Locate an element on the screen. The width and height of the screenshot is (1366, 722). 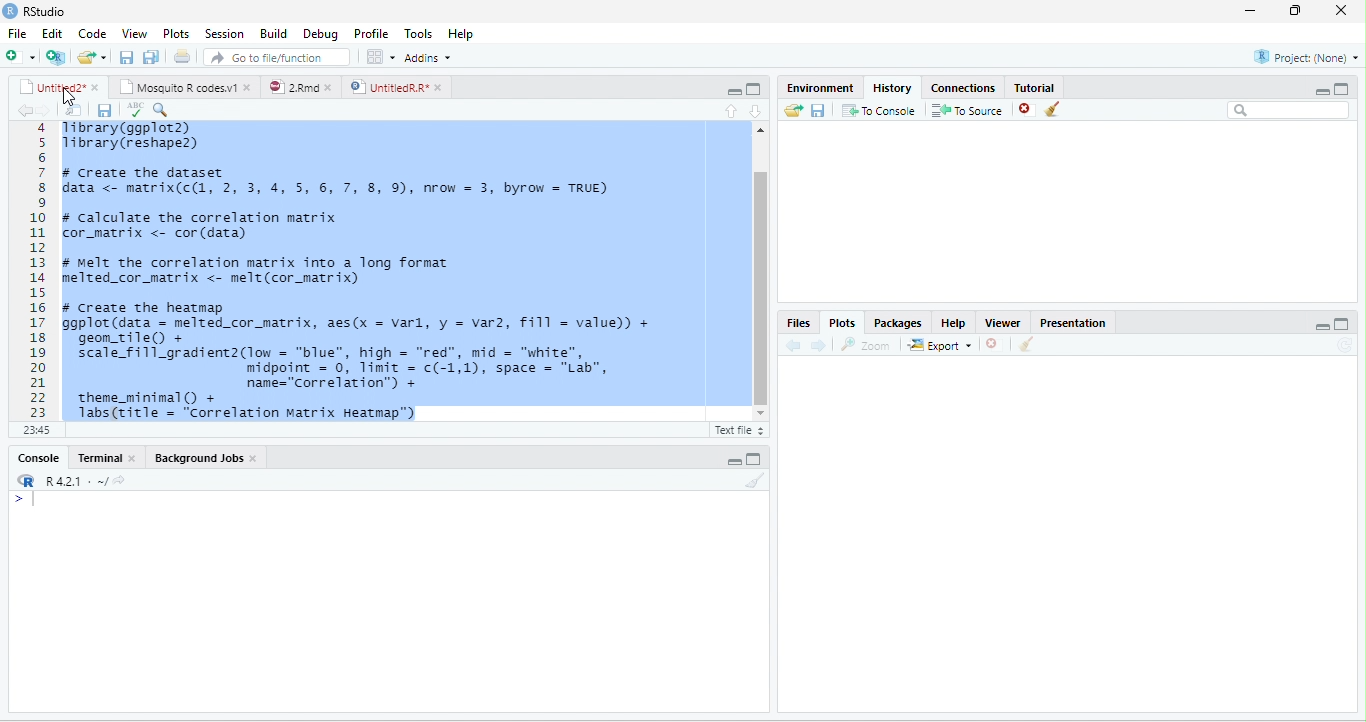
packages is located at coordinates (897, 322).